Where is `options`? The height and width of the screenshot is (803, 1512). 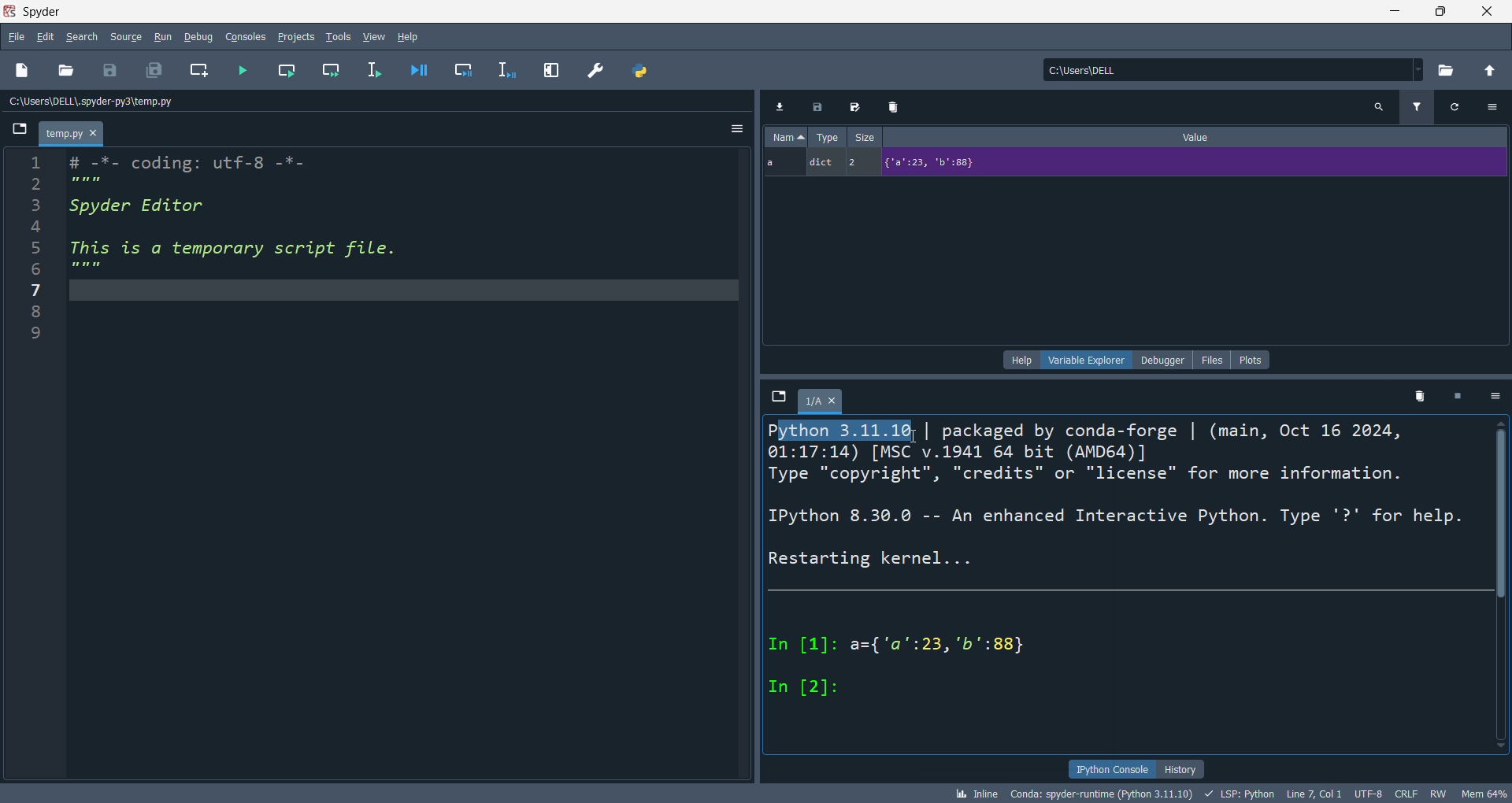 options is located at coordinates (1497, 105).